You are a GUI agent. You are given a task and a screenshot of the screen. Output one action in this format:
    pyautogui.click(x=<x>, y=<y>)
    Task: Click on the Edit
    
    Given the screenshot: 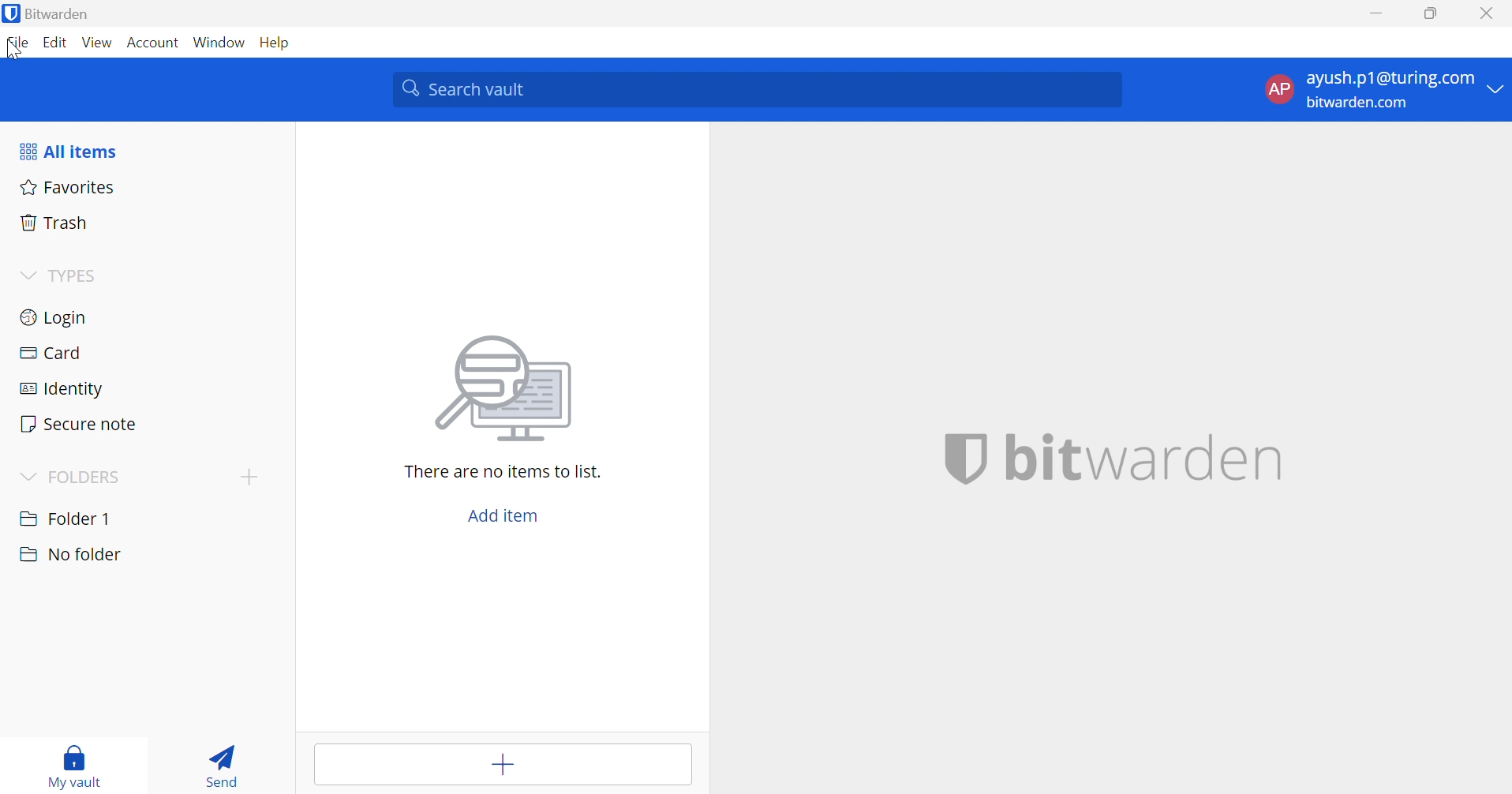 What is the action you would take?
    pyautogui.click(x=56, y=44)
    